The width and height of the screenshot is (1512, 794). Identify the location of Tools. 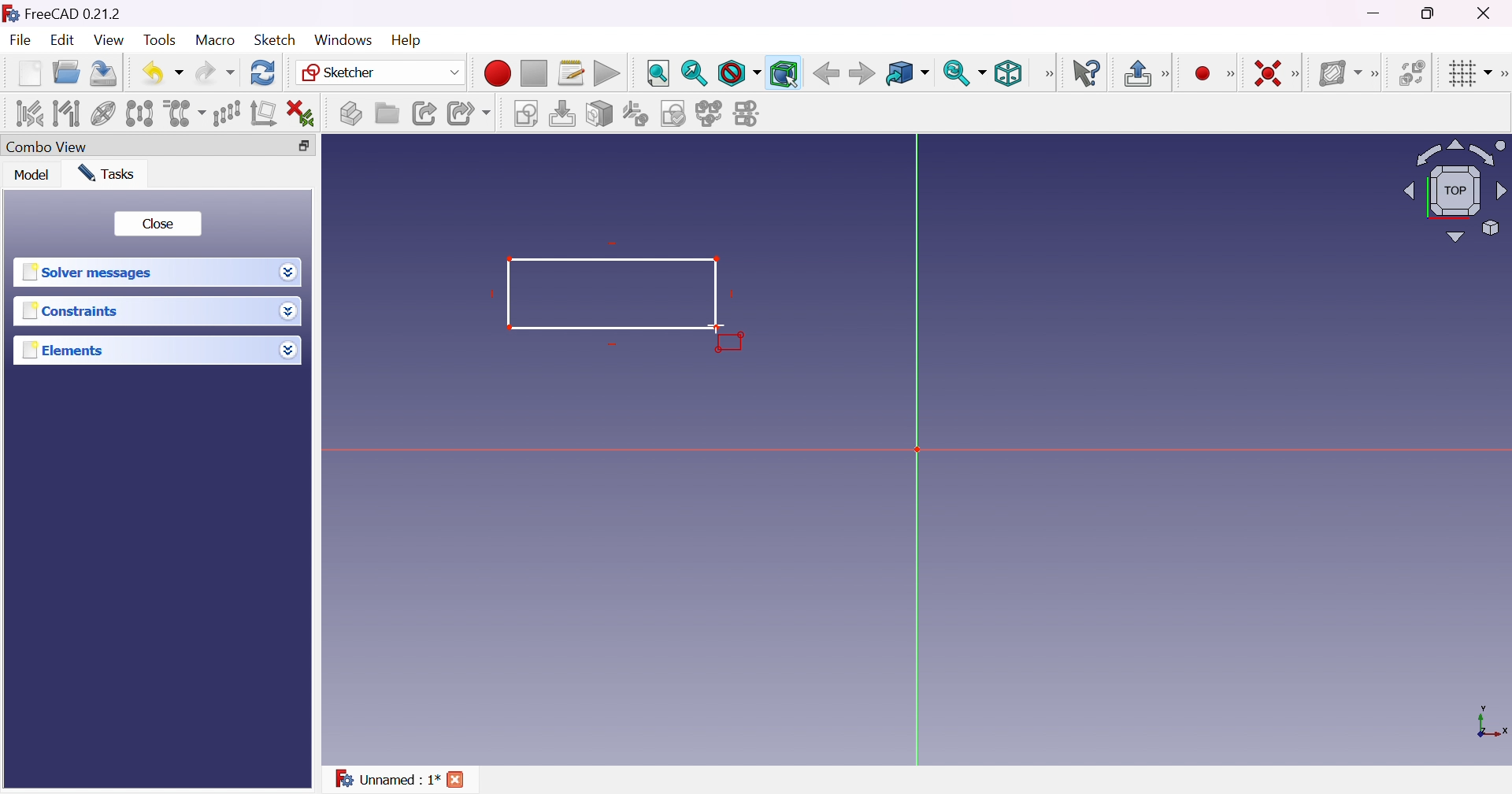
(161, 40).